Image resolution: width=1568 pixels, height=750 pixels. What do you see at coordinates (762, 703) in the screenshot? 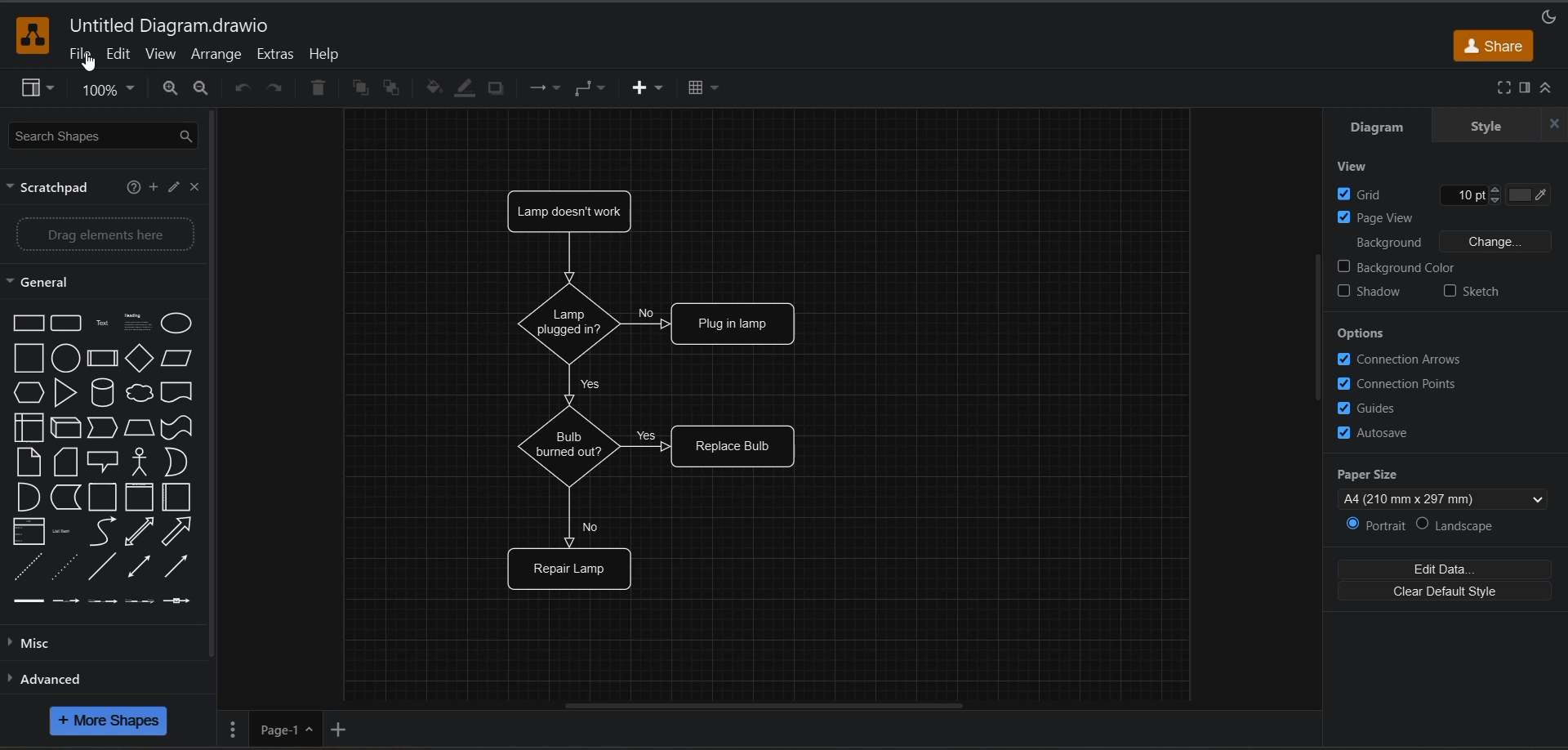
I see `horizontal scroll bar` at bounding box center [762, 703].